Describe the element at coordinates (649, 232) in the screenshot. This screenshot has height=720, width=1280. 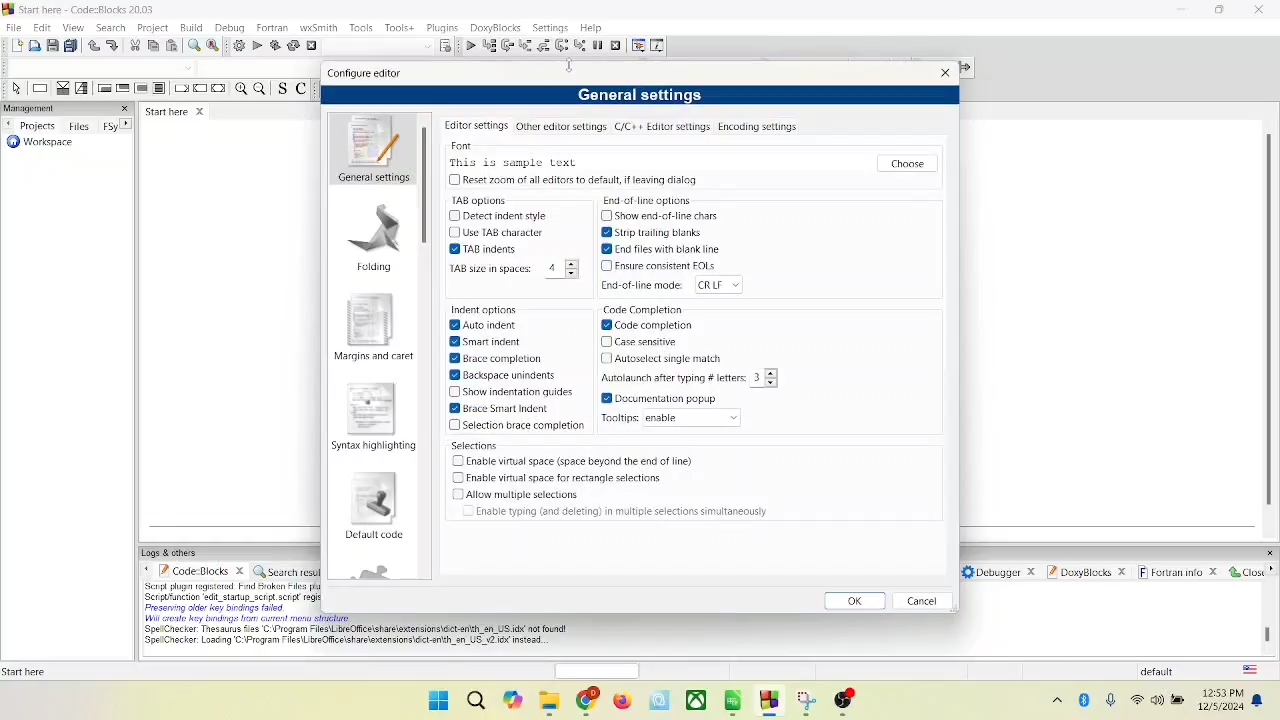
I see `strip trailing blanks` at that location.